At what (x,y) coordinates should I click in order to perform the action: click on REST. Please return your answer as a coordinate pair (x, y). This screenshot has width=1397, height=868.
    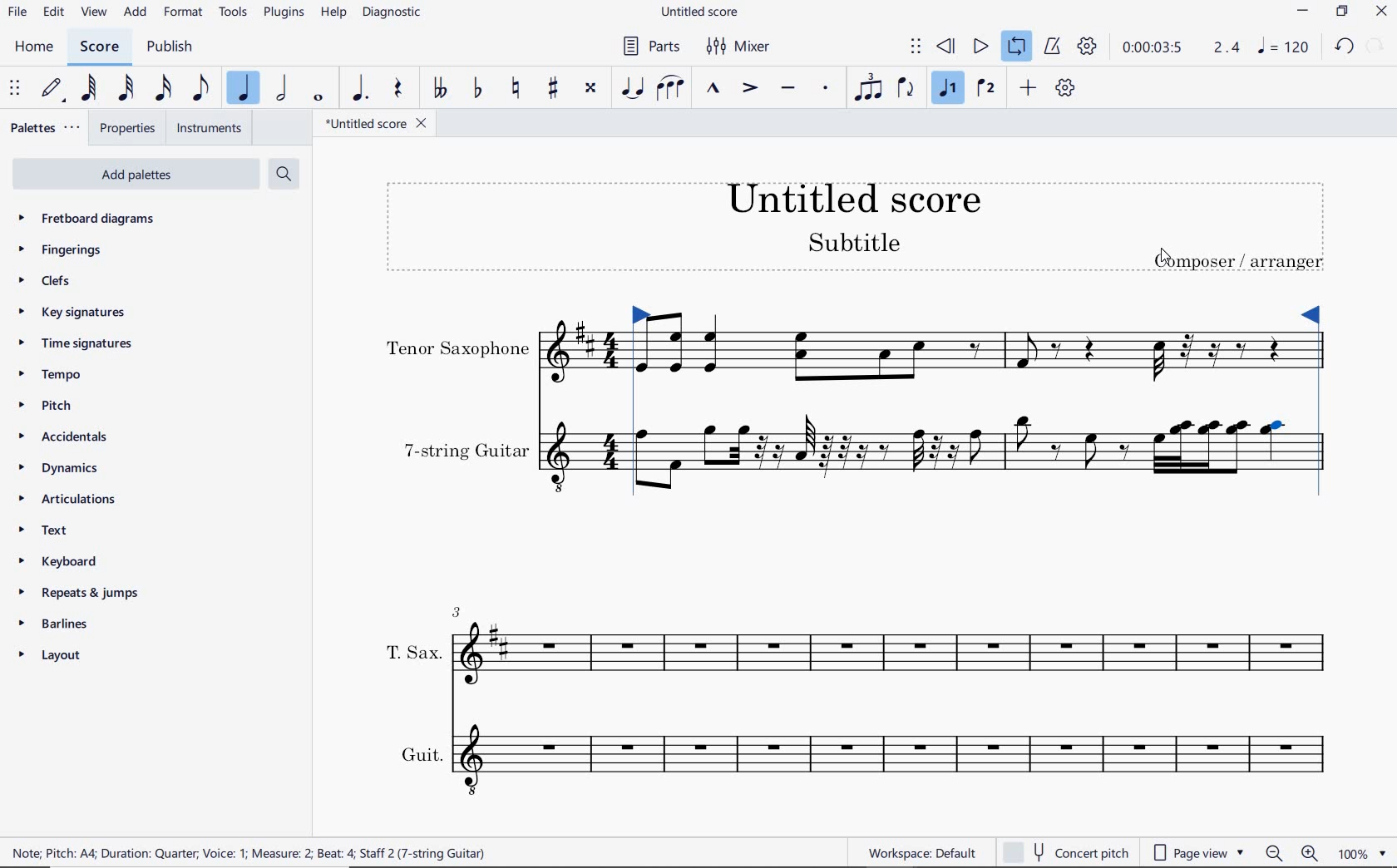
    Looking at the image, I should click on (396, 89).